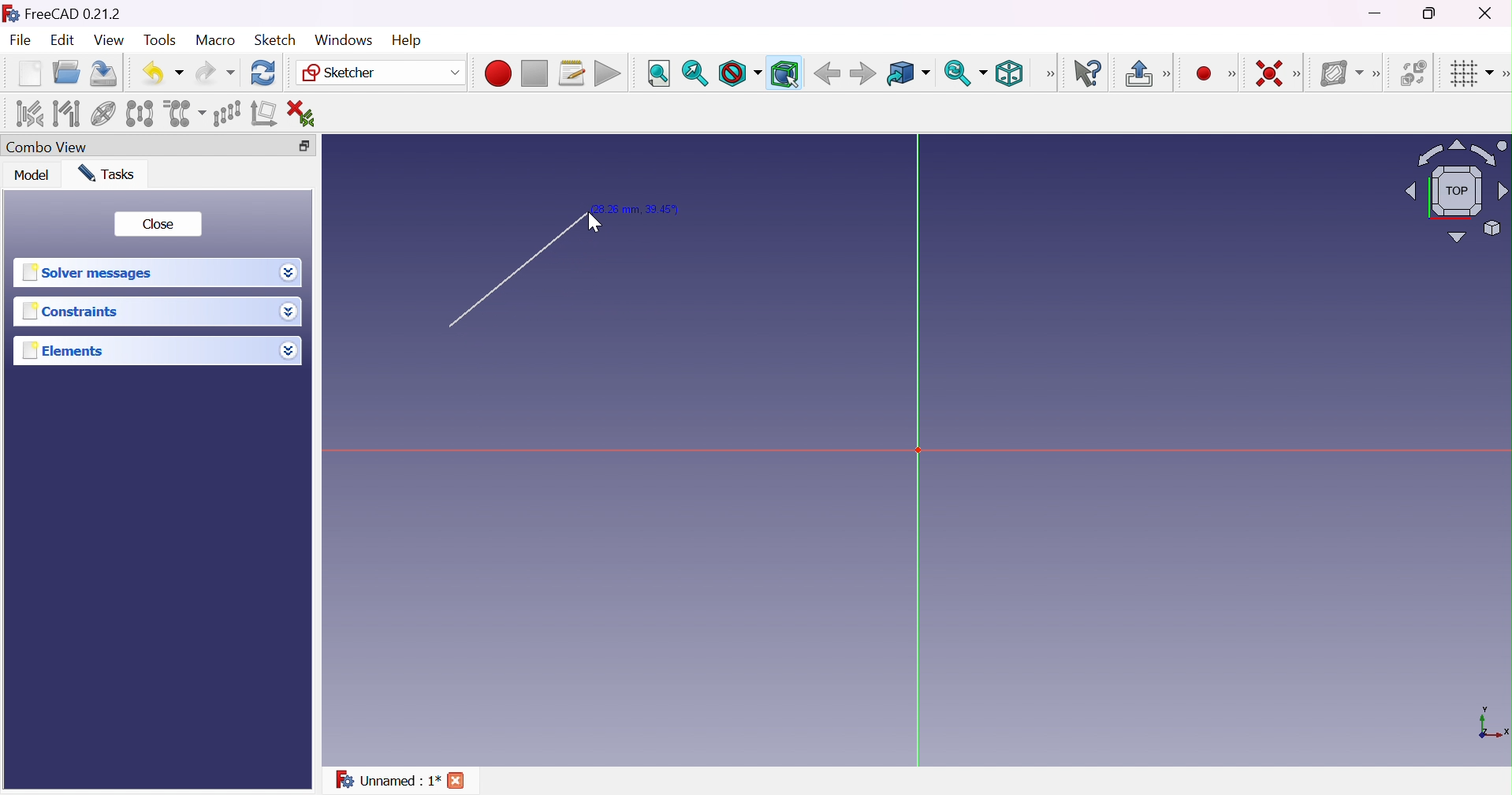  What do you see at coordinates (1415, 73) in the screenshot?
I see `Switch virtual space` at bounding box center [1415, 73].